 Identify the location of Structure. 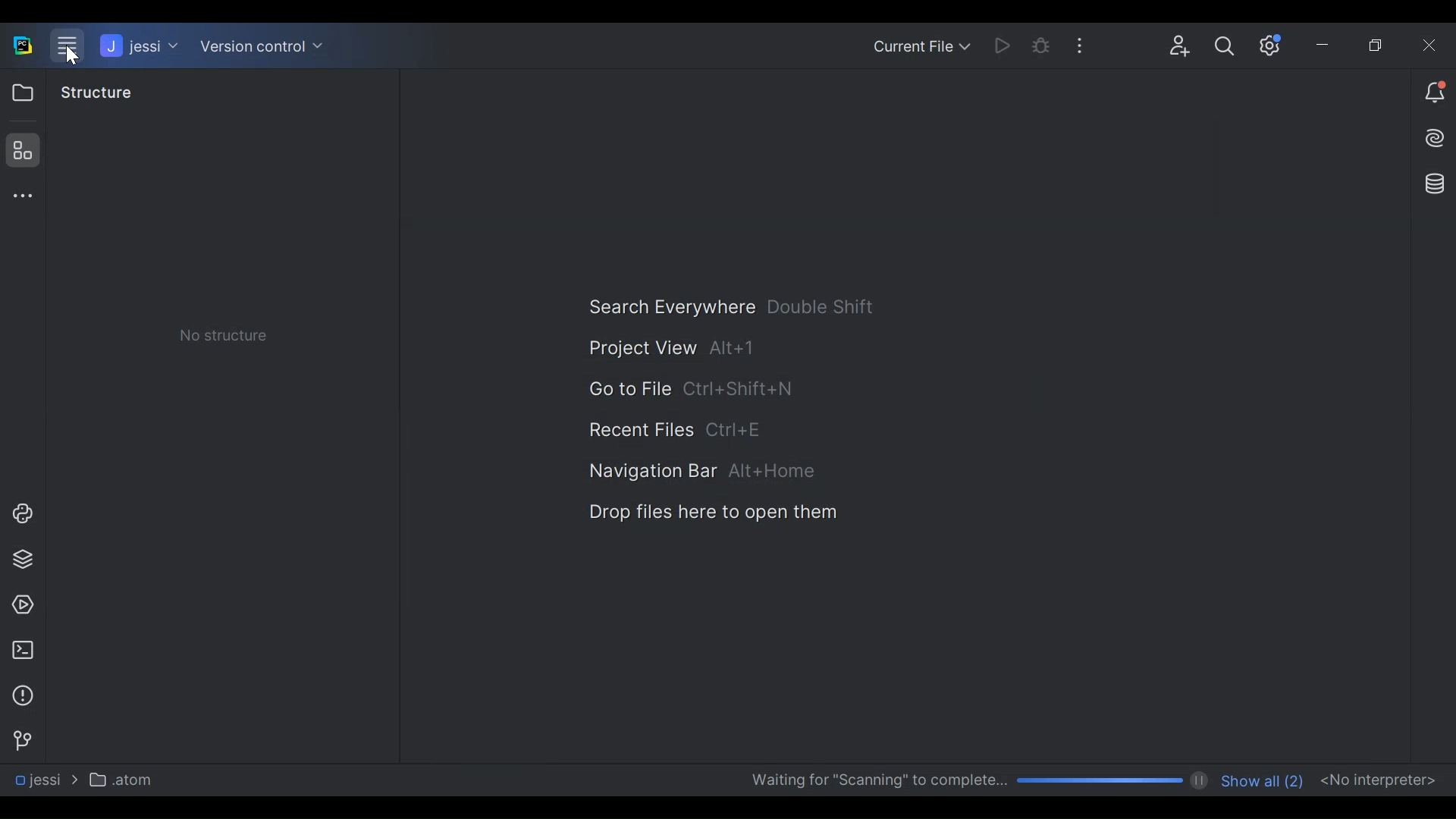
(20, 150).